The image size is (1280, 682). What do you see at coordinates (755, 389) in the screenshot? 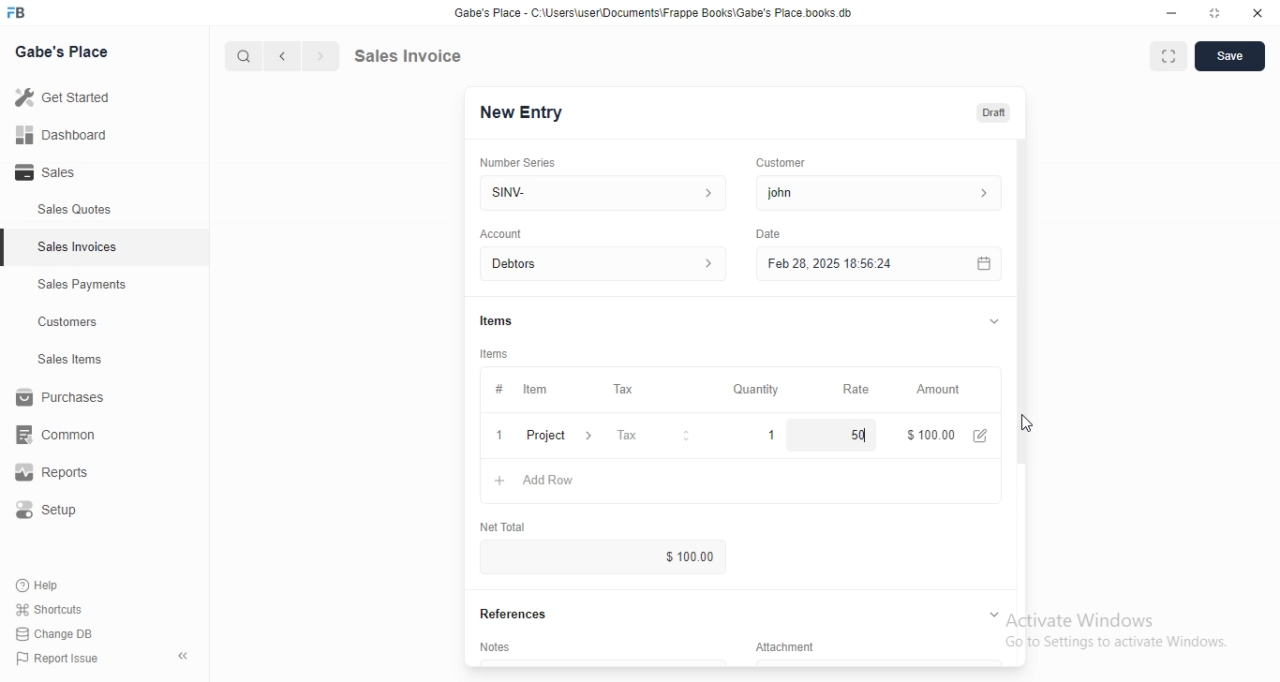
I see `‘Quantity` at bounding box center [755, 389].